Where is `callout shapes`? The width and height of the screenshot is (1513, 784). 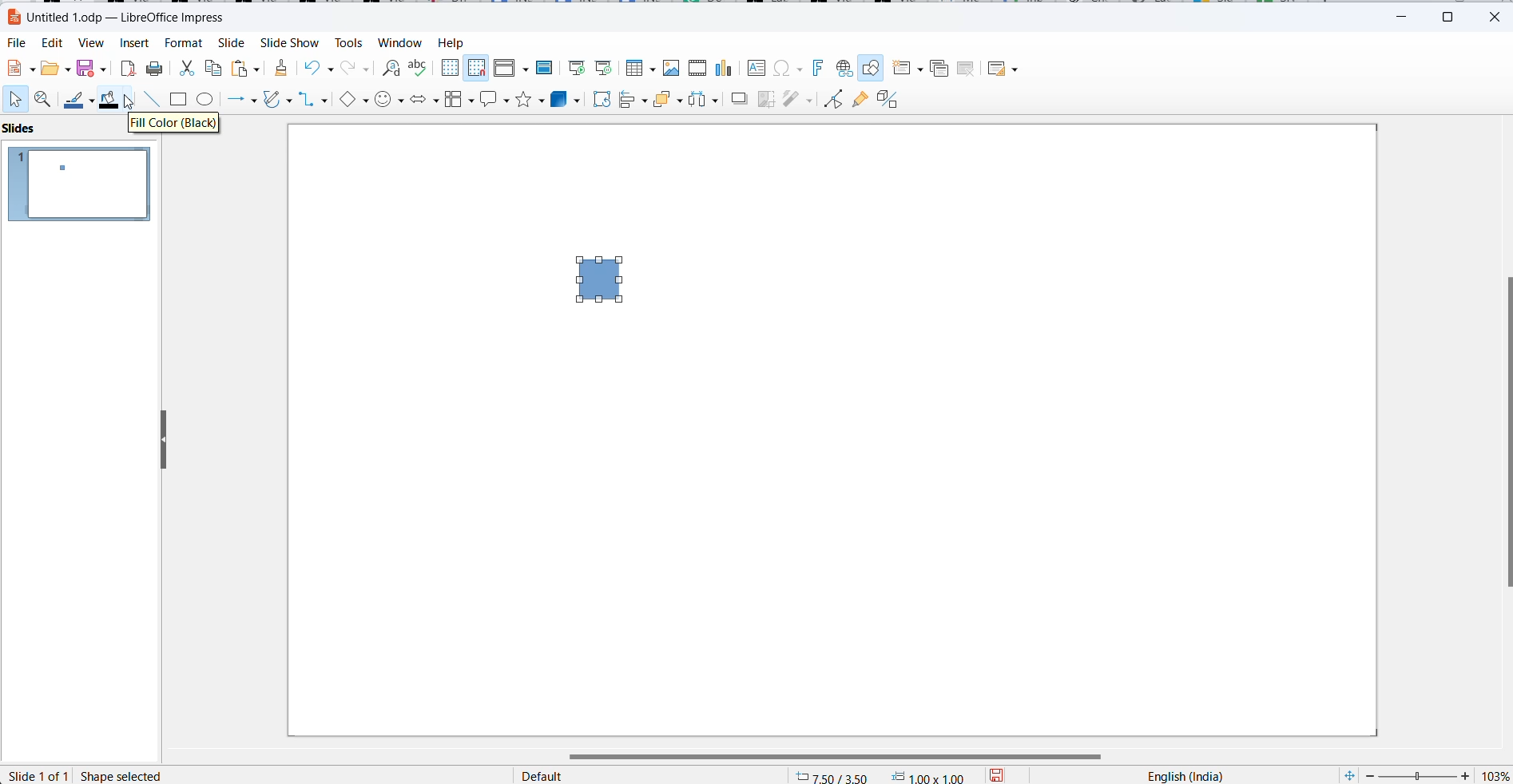 callout shapes is located at coordinates (495, 98).